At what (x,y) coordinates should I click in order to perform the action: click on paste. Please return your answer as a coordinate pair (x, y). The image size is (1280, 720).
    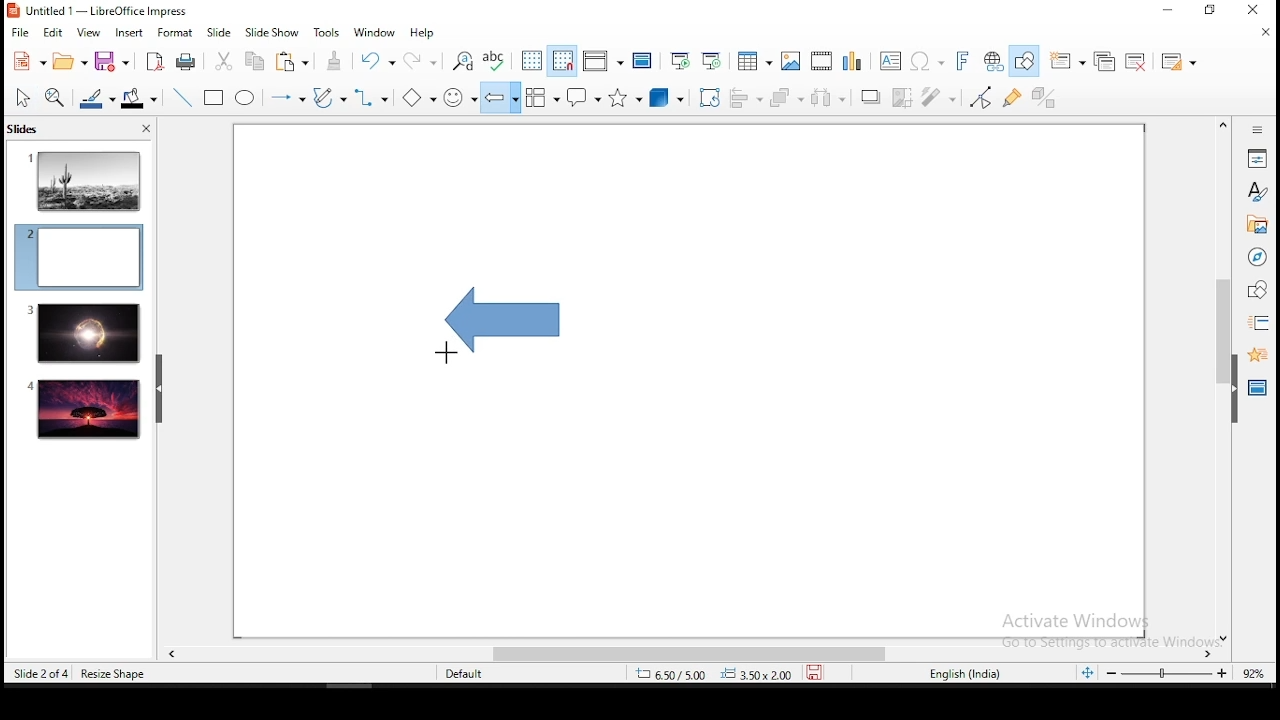
    Looking at the image, I should click on (295, 61).